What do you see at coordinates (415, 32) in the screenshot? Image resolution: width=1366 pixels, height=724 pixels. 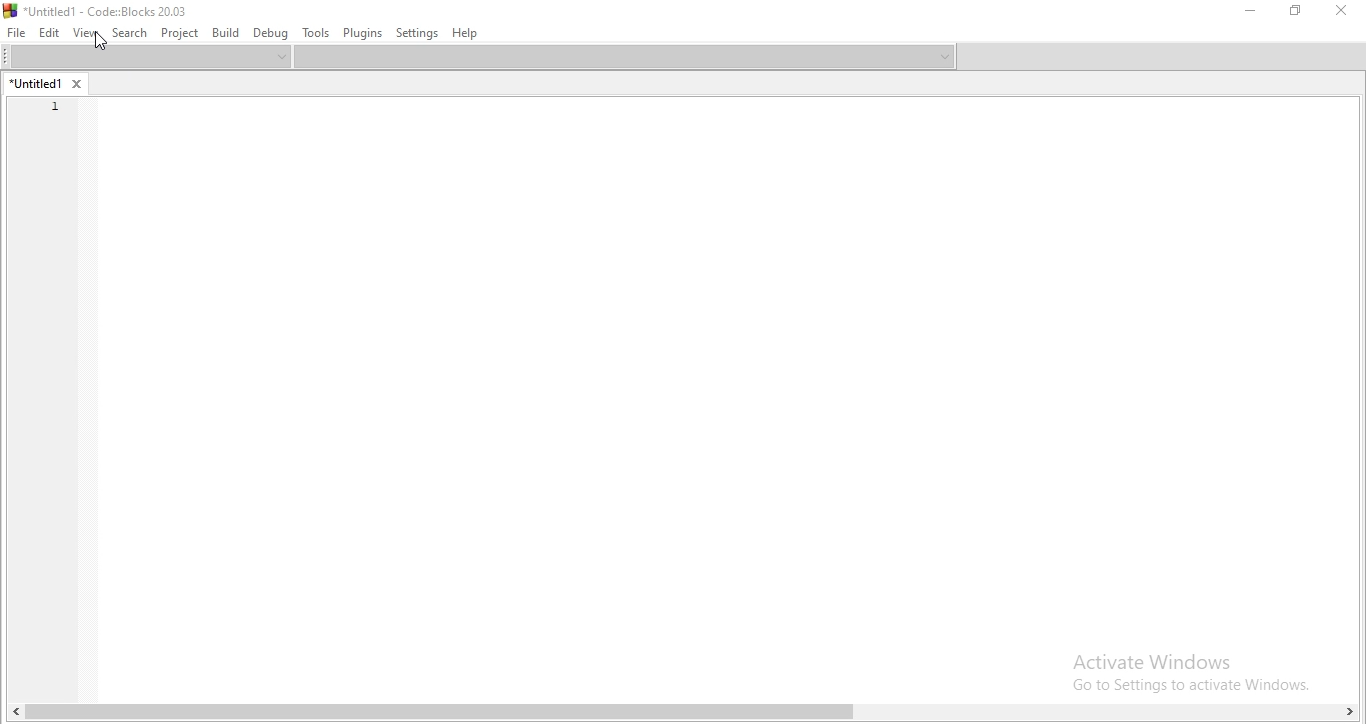 I see `Settings ` at bounding box center [415, 32].